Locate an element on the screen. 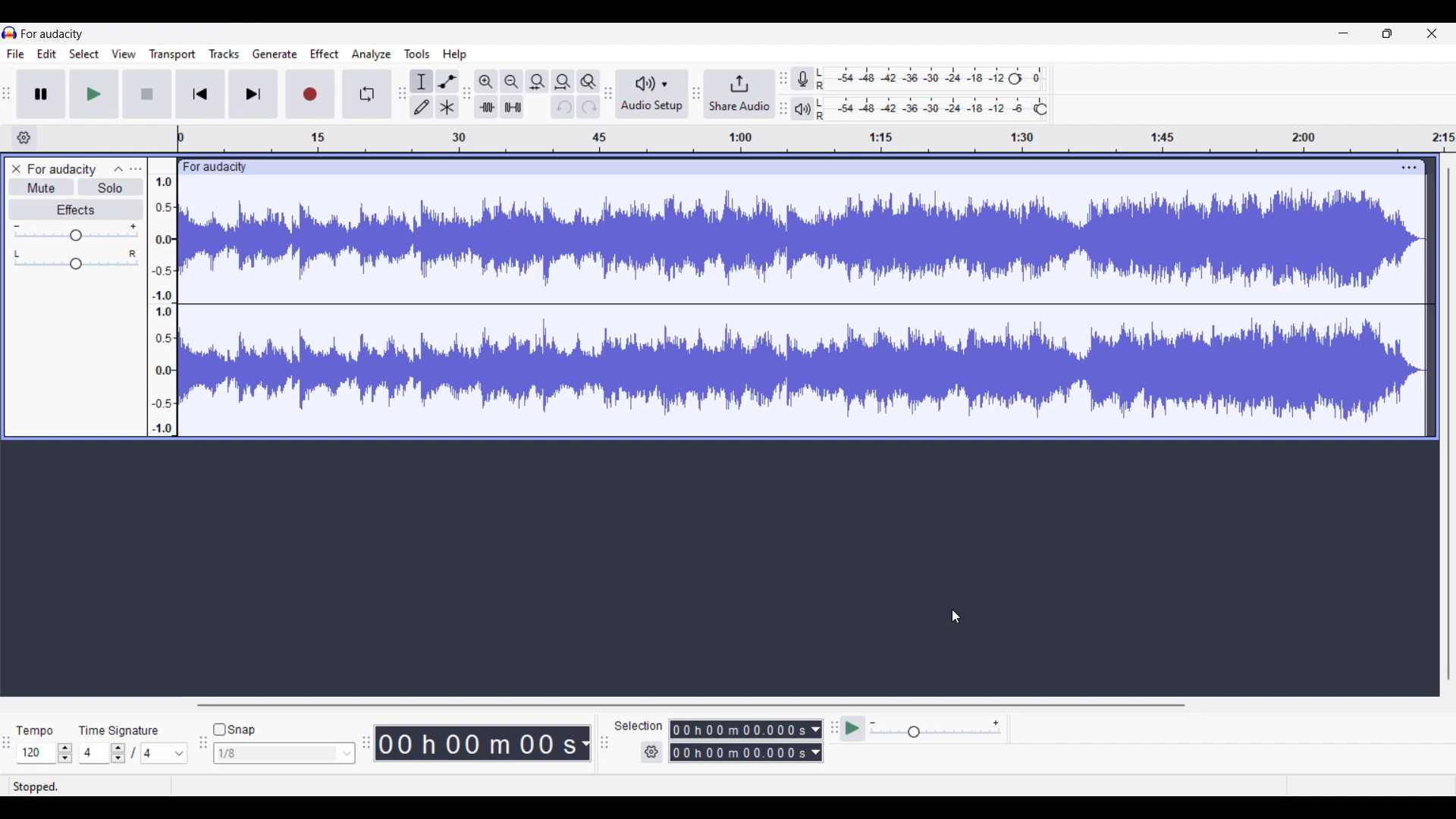 The image size is (1456, 819). Max time signature options is located at coordinates (165, 753).